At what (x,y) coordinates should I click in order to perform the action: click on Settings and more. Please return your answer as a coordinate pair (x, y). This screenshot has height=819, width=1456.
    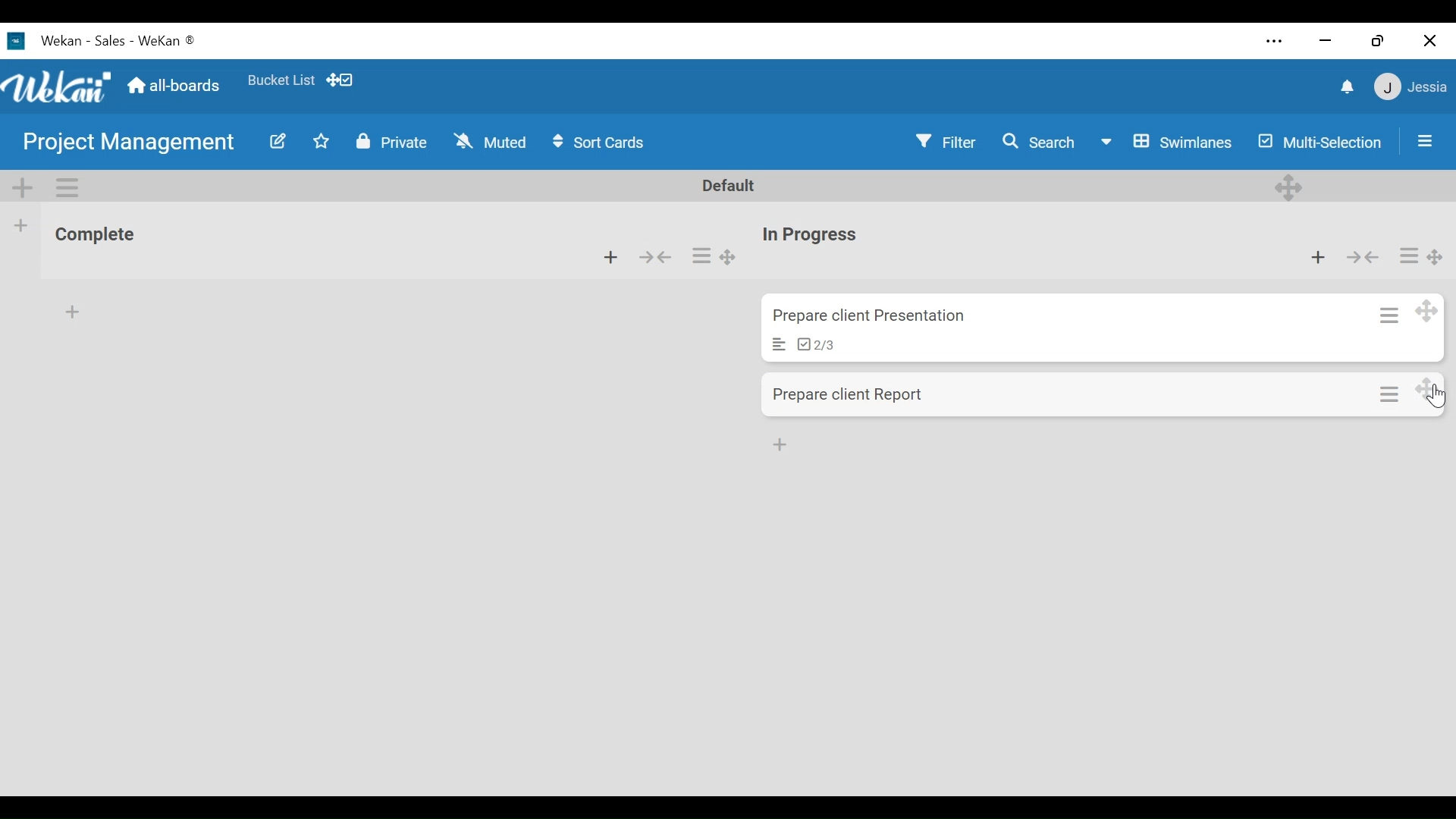
    Looking at the image, I should click on (1268, 39).